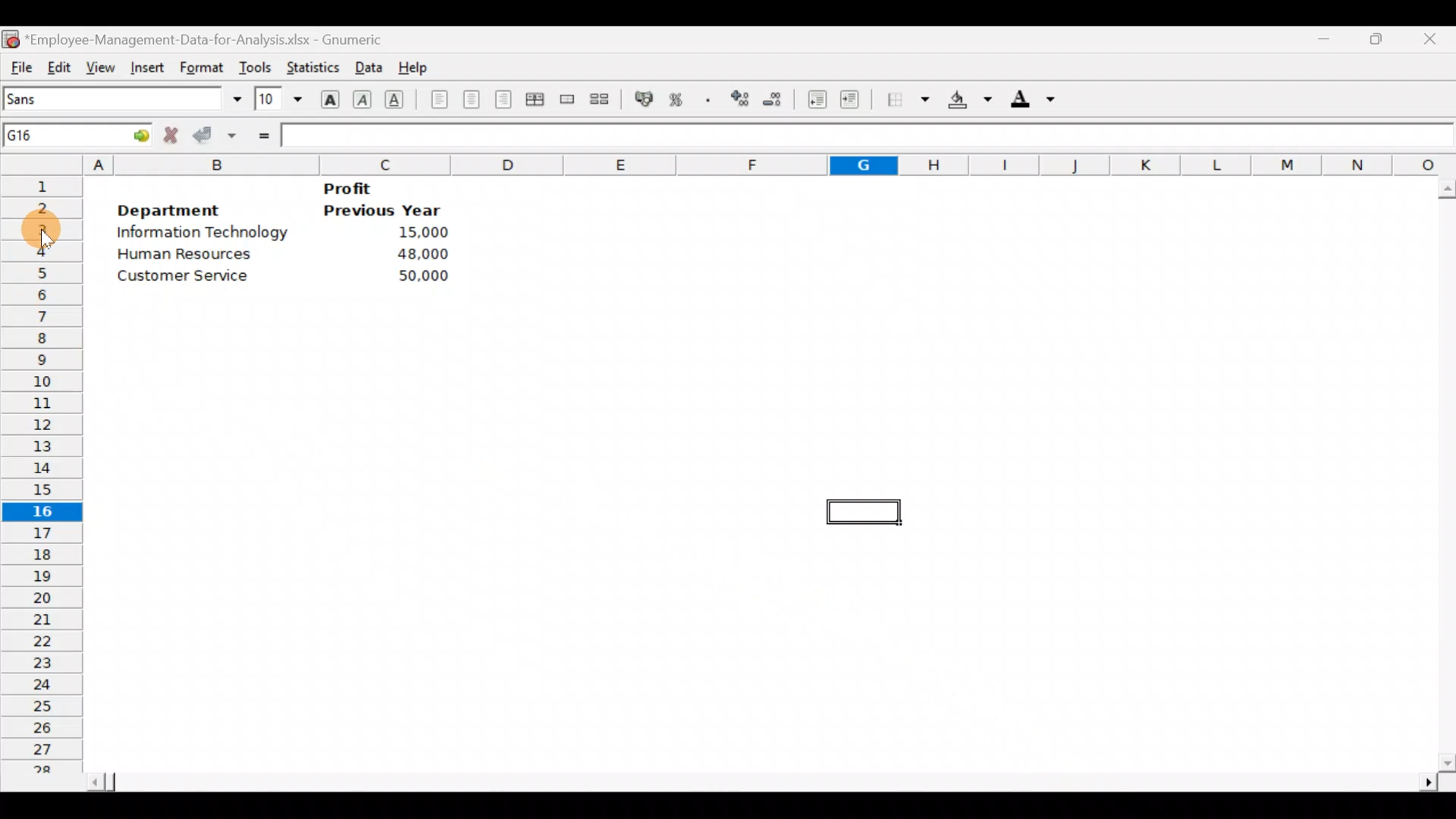  I want to click on Columns, so click(724, 161).